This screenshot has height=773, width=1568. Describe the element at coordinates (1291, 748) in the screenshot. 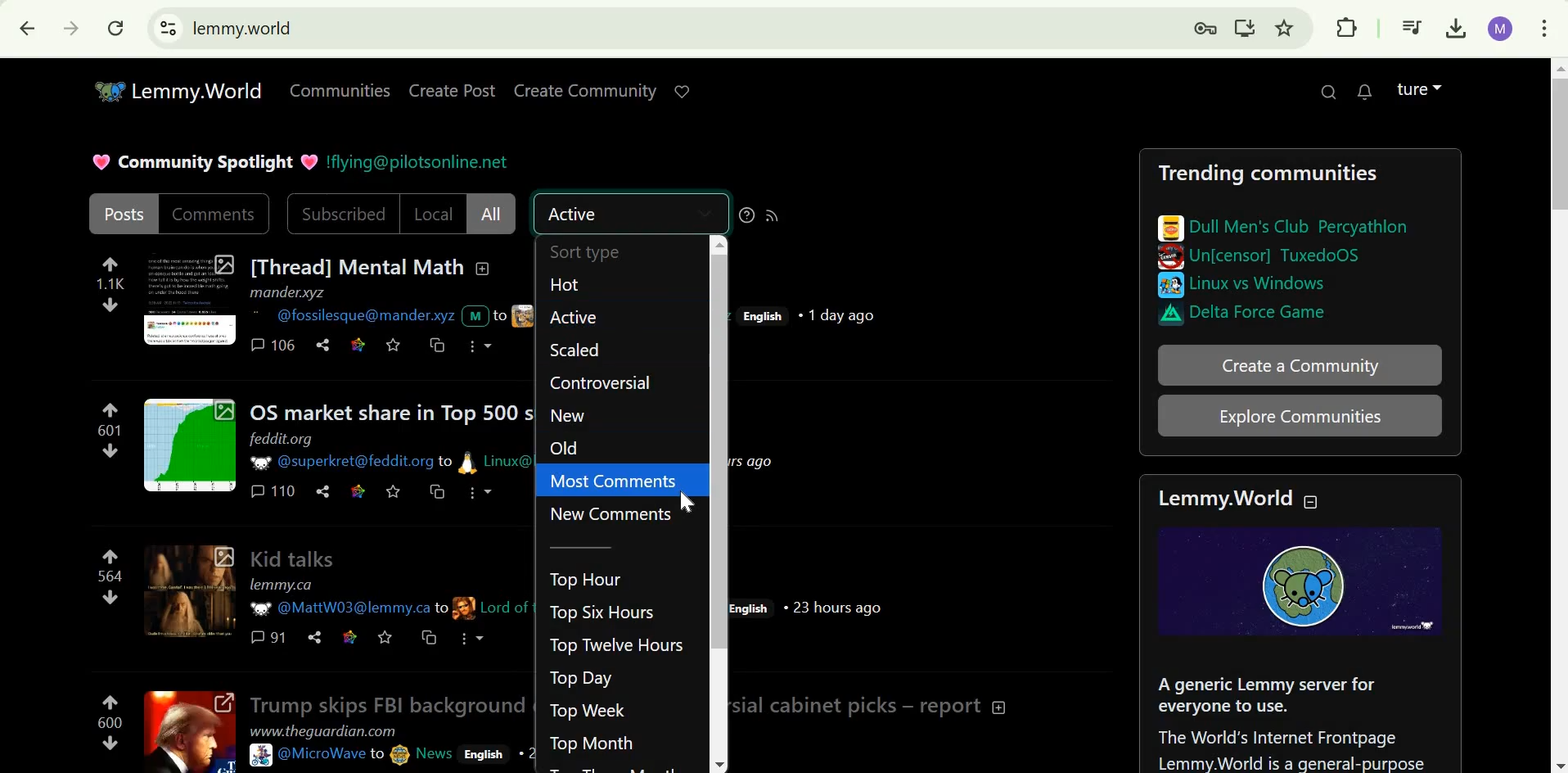

I see `The world's internet frontpage Lemmy.World is a general-purpose` at that location.